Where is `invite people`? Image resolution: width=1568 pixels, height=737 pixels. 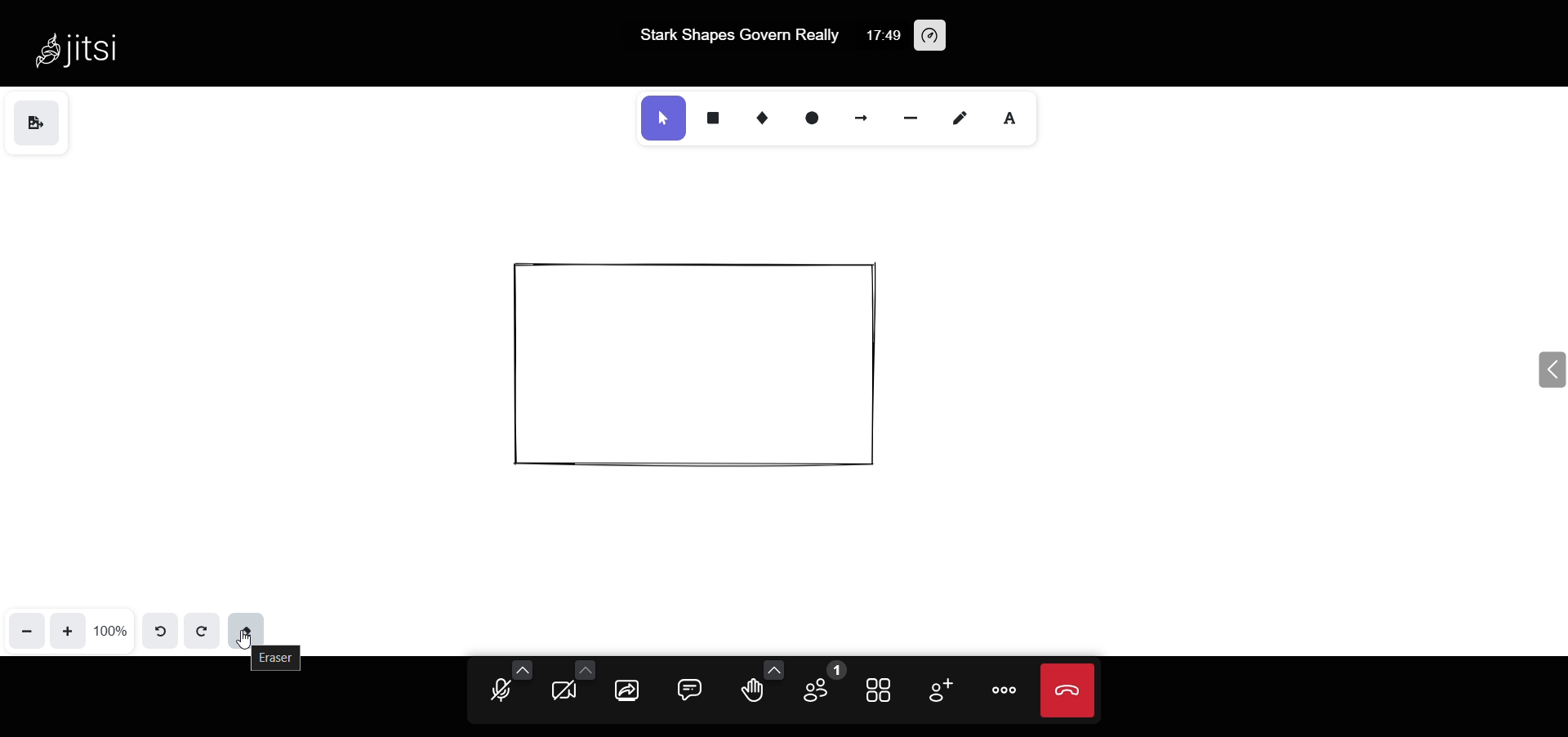
invite people is located at coordinates (940, 690).